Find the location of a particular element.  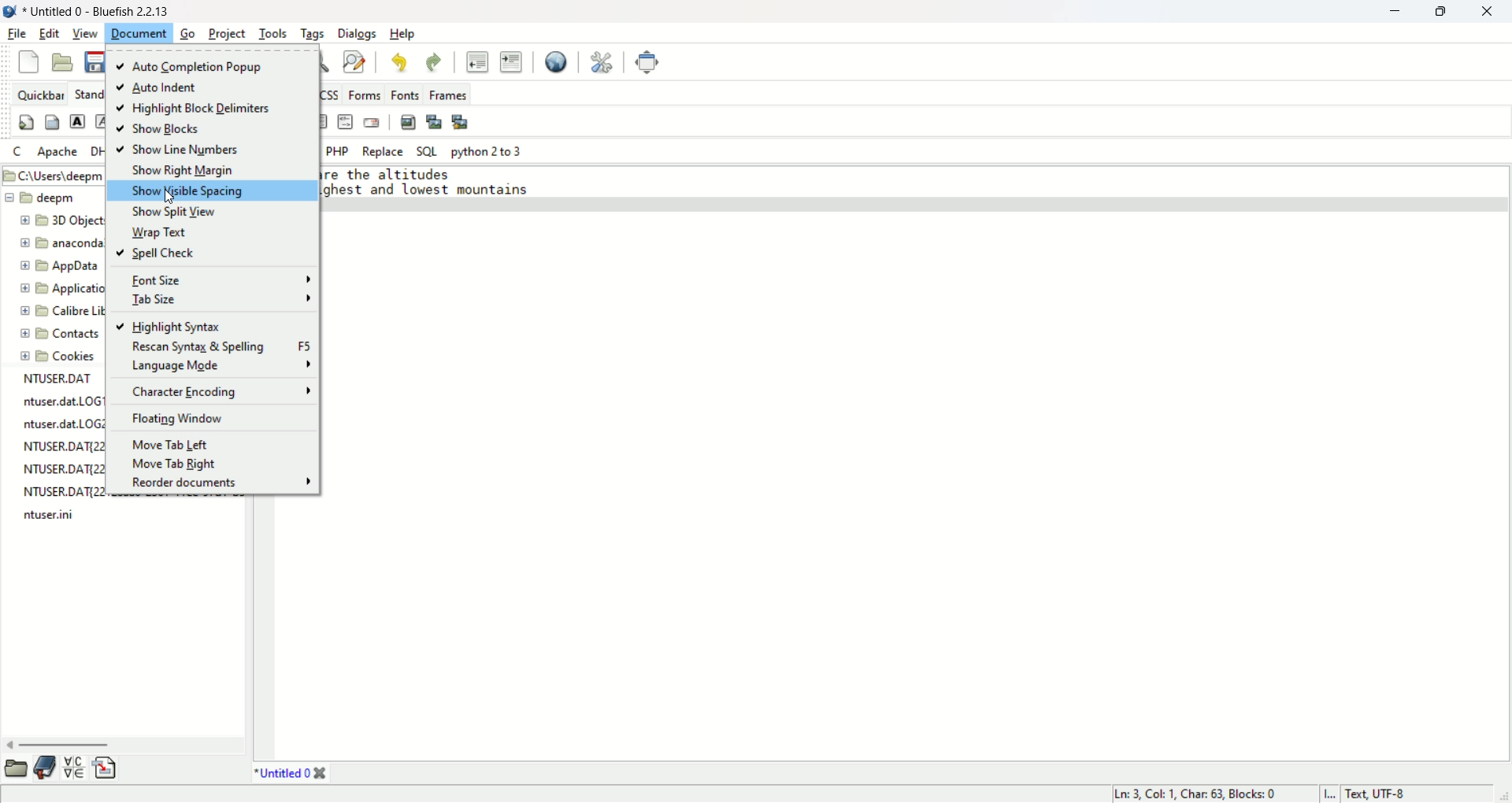

show visible spacing is located at coordinates (209, 191).